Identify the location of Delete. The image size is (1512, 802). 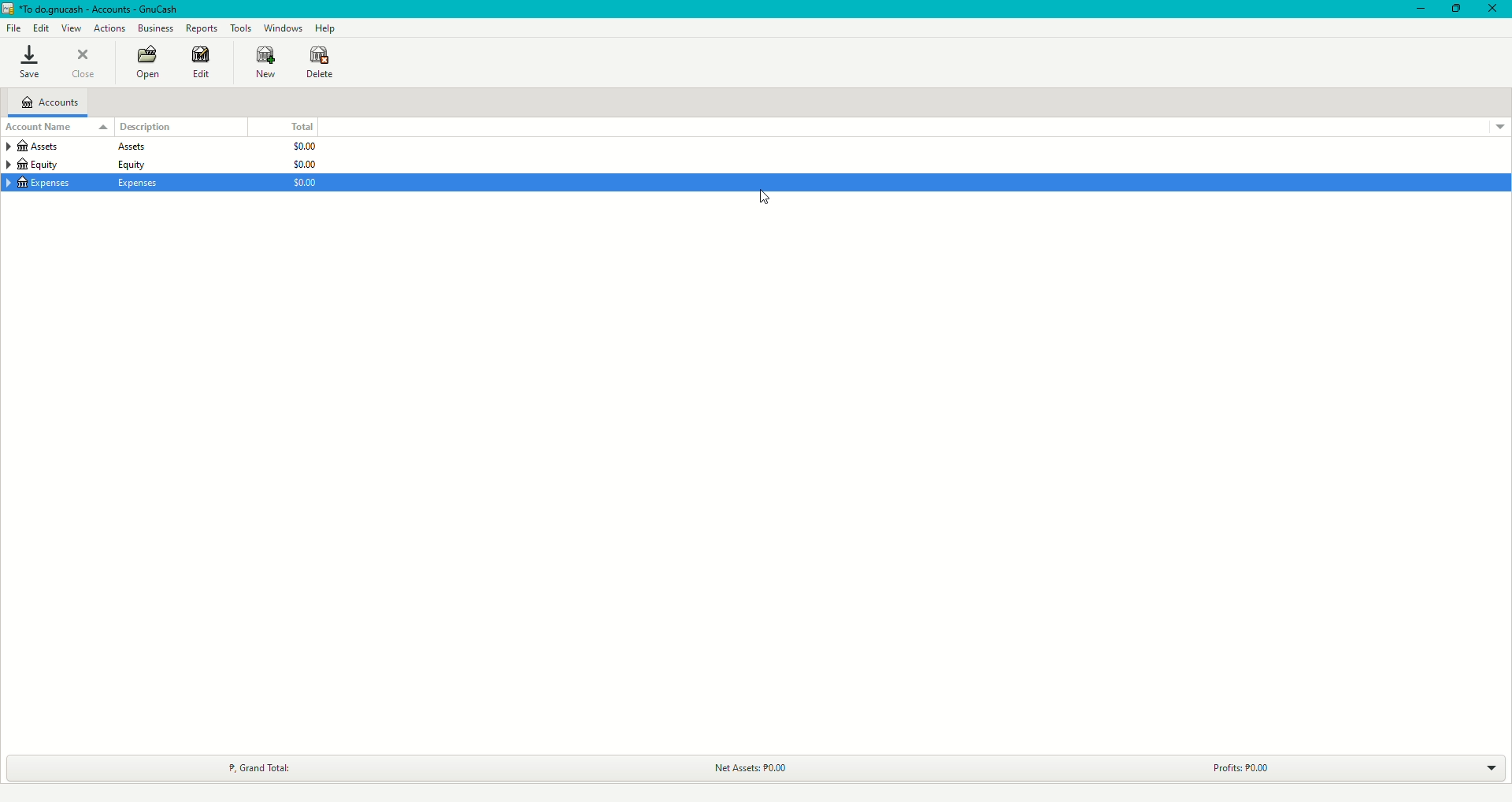
(321, 65).